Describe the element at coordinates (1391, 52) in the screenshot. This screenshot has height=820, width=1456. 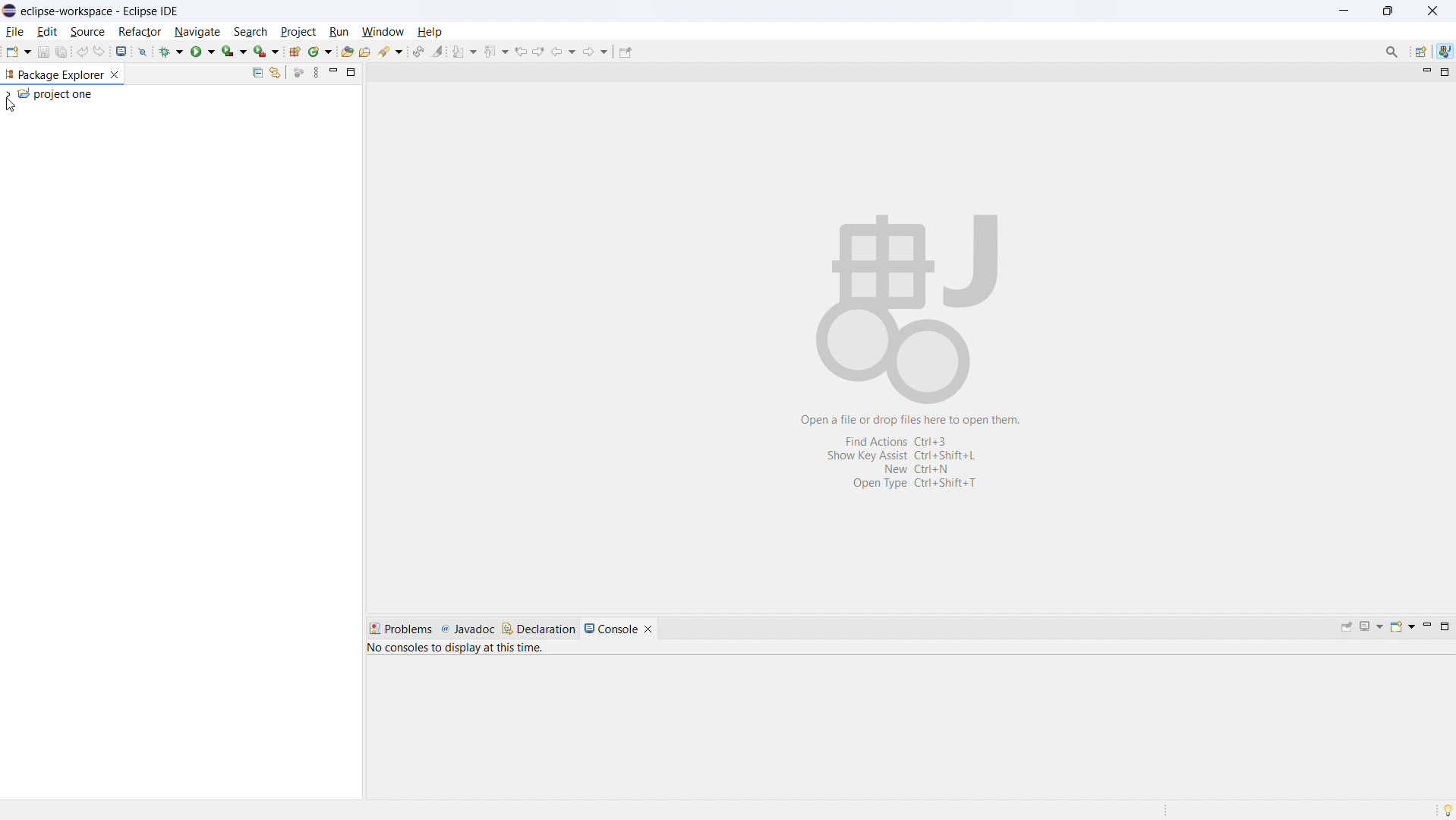
I see `Search` at that location.